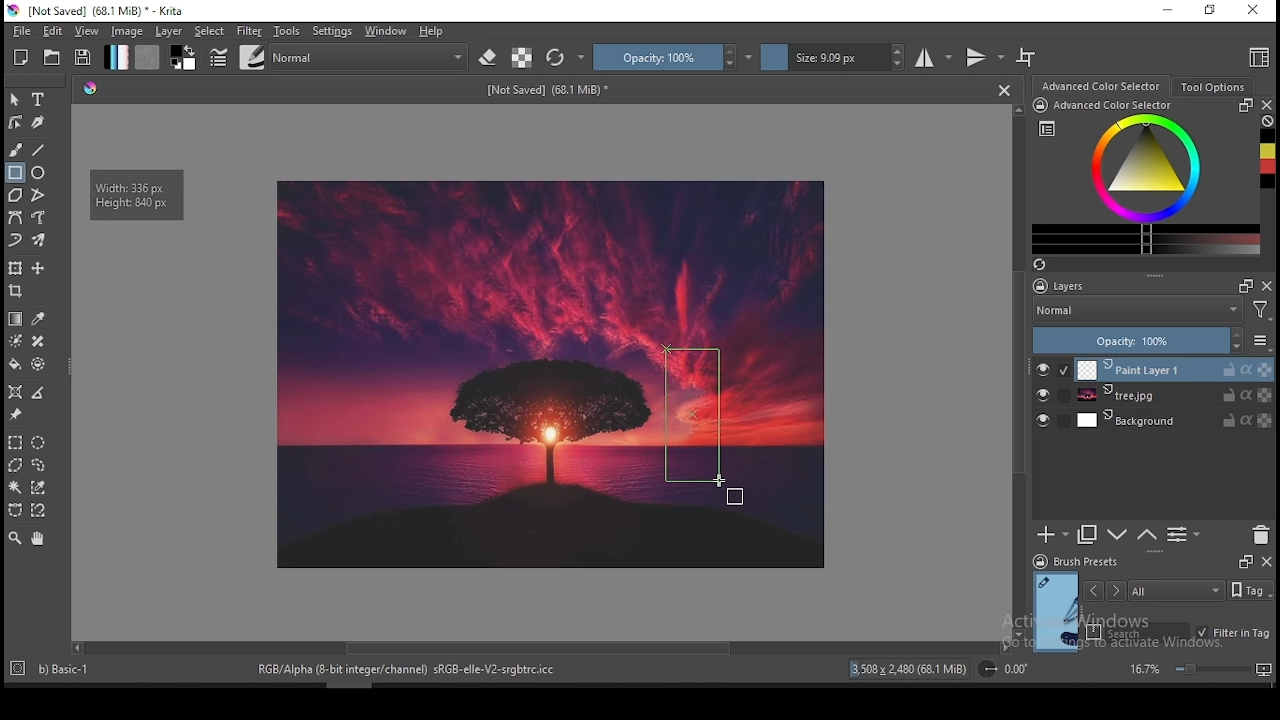  I want to click on choose workspace, so click(1257, 59).